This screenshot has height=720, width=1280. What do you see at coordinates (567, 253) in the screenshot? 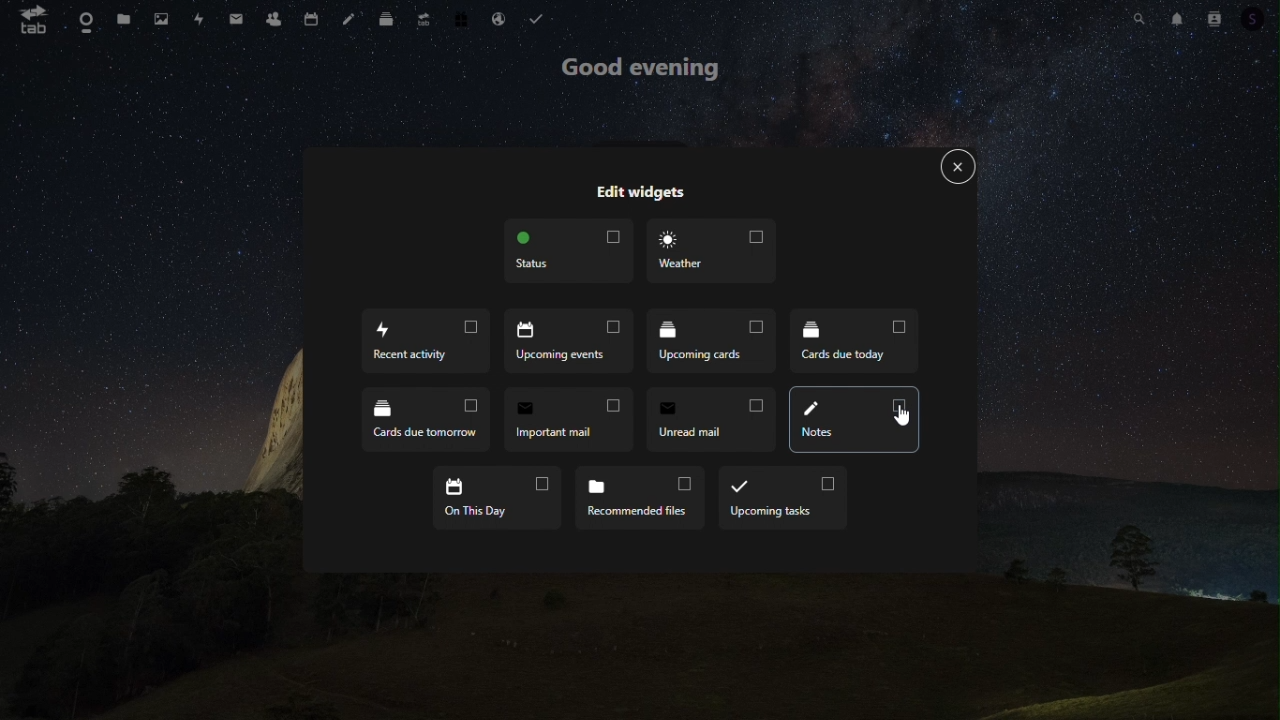
I see `Status` at bounding box center [567, 253].